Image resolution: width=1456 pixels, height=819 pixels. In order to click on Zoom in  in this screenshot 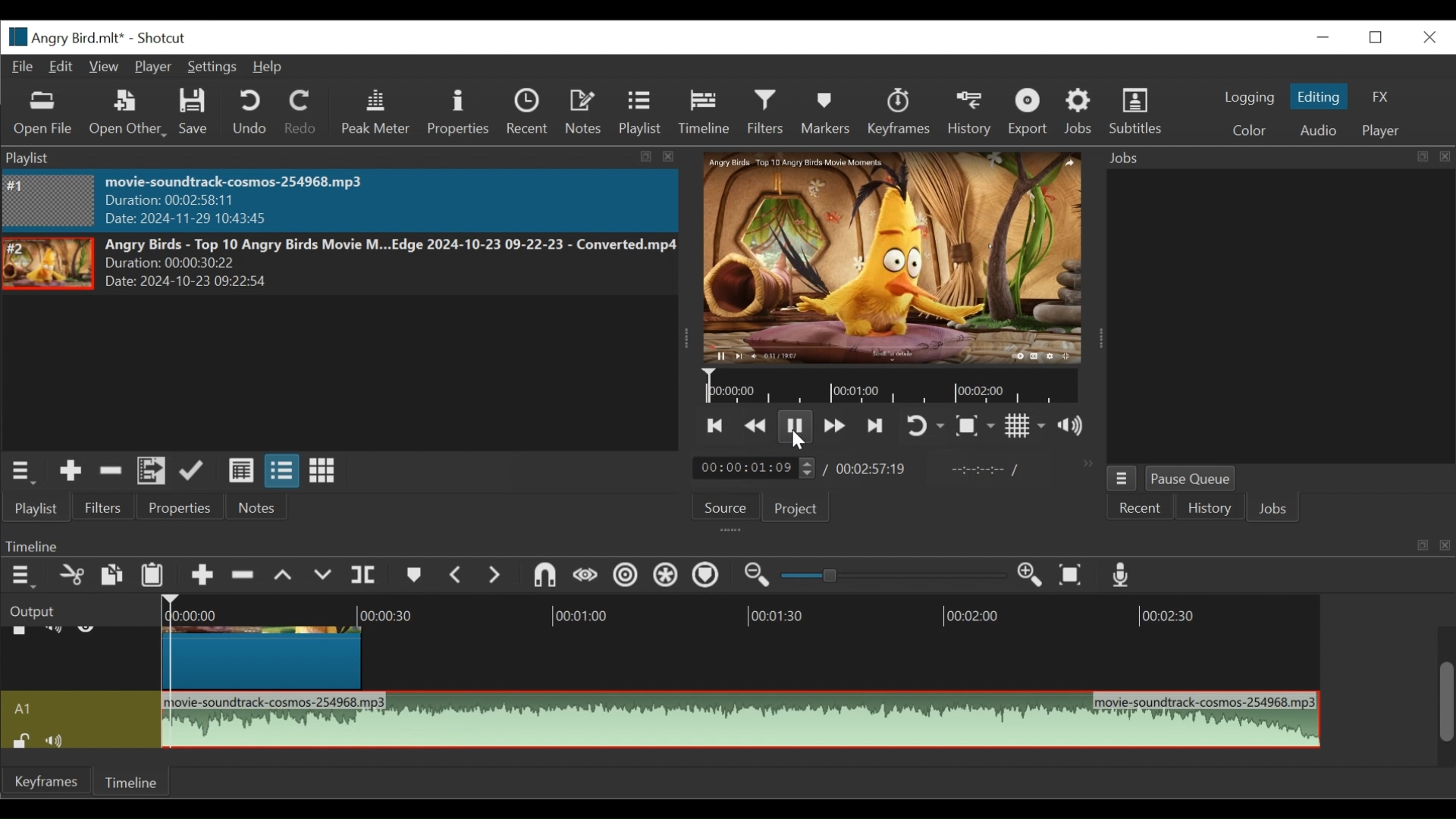, I will do `click(1035, 576)`.